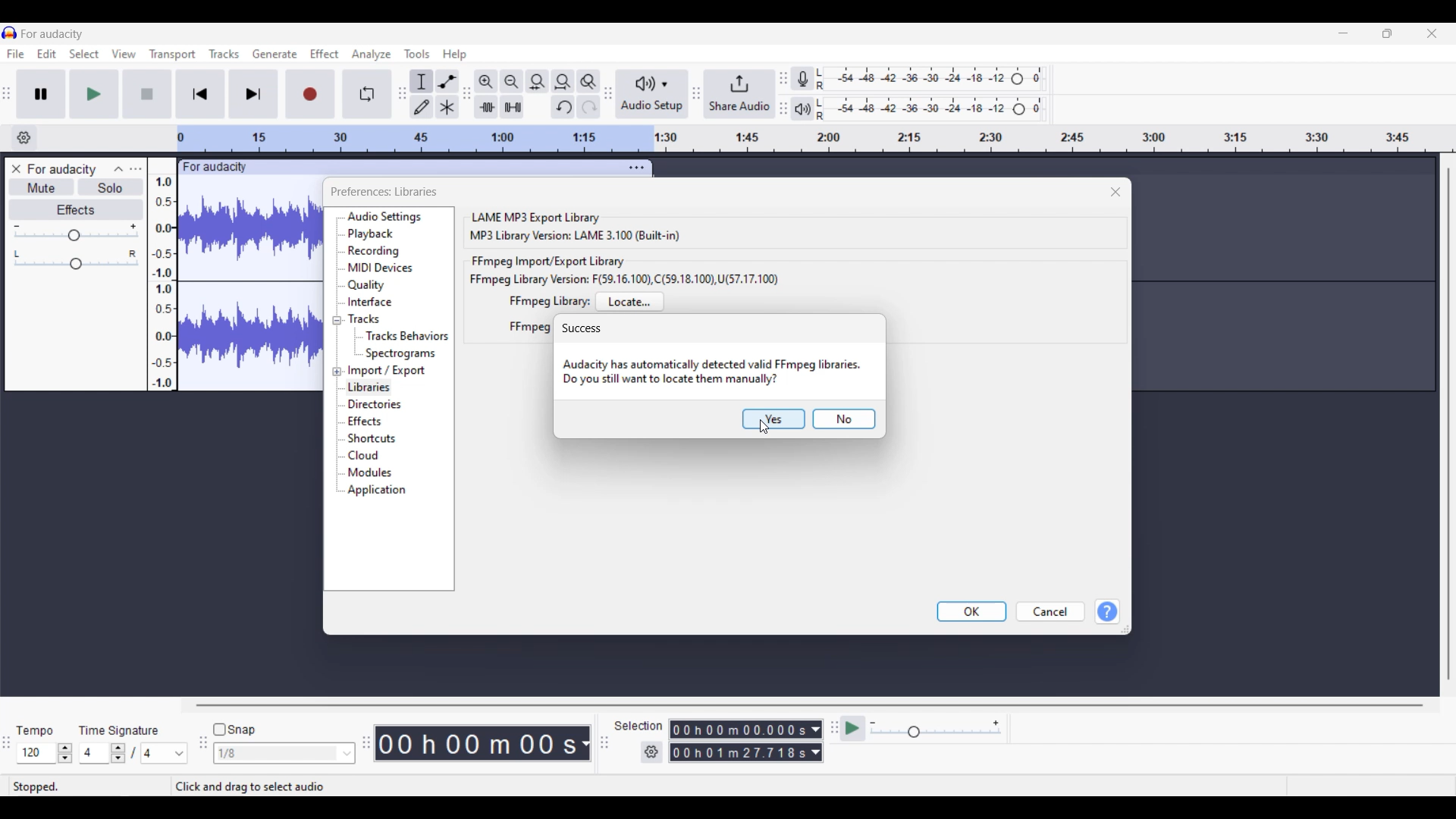 This screenshot has width=1456, height=819. I want to click on Recording level, so click(930, 79).